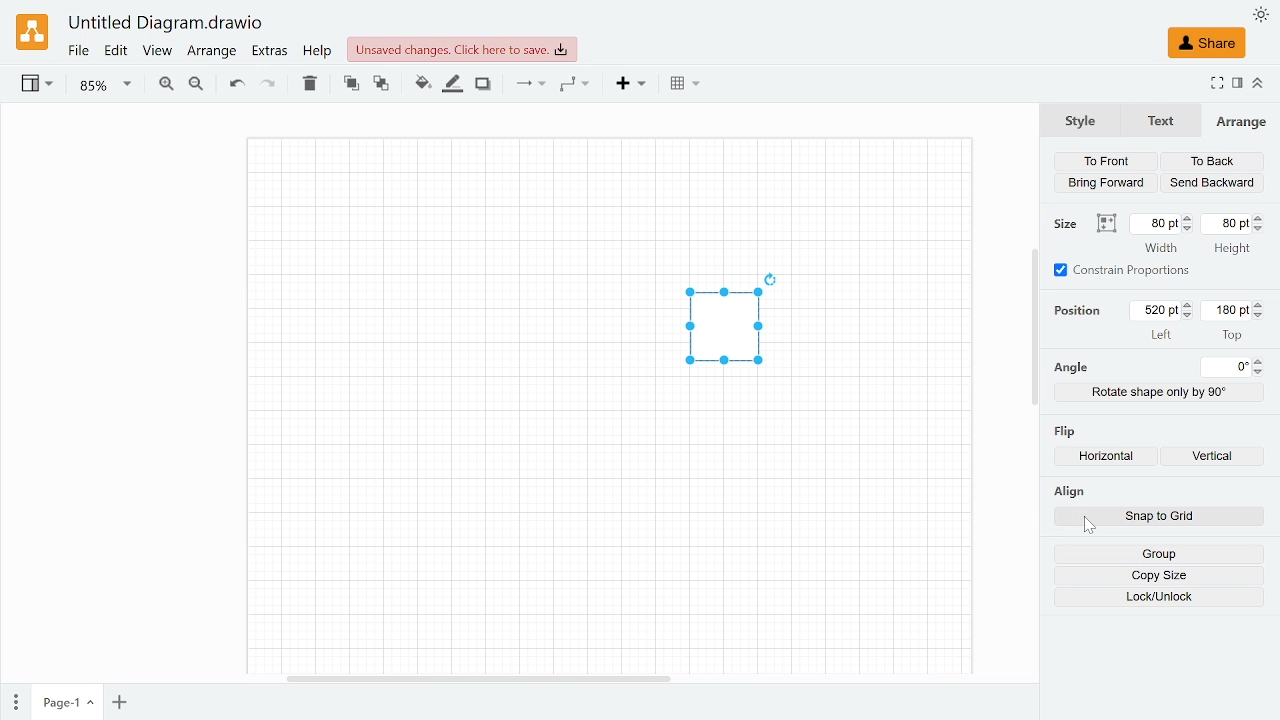 The image size is (1280, 720). I want to click on width, so click(1161, 248).